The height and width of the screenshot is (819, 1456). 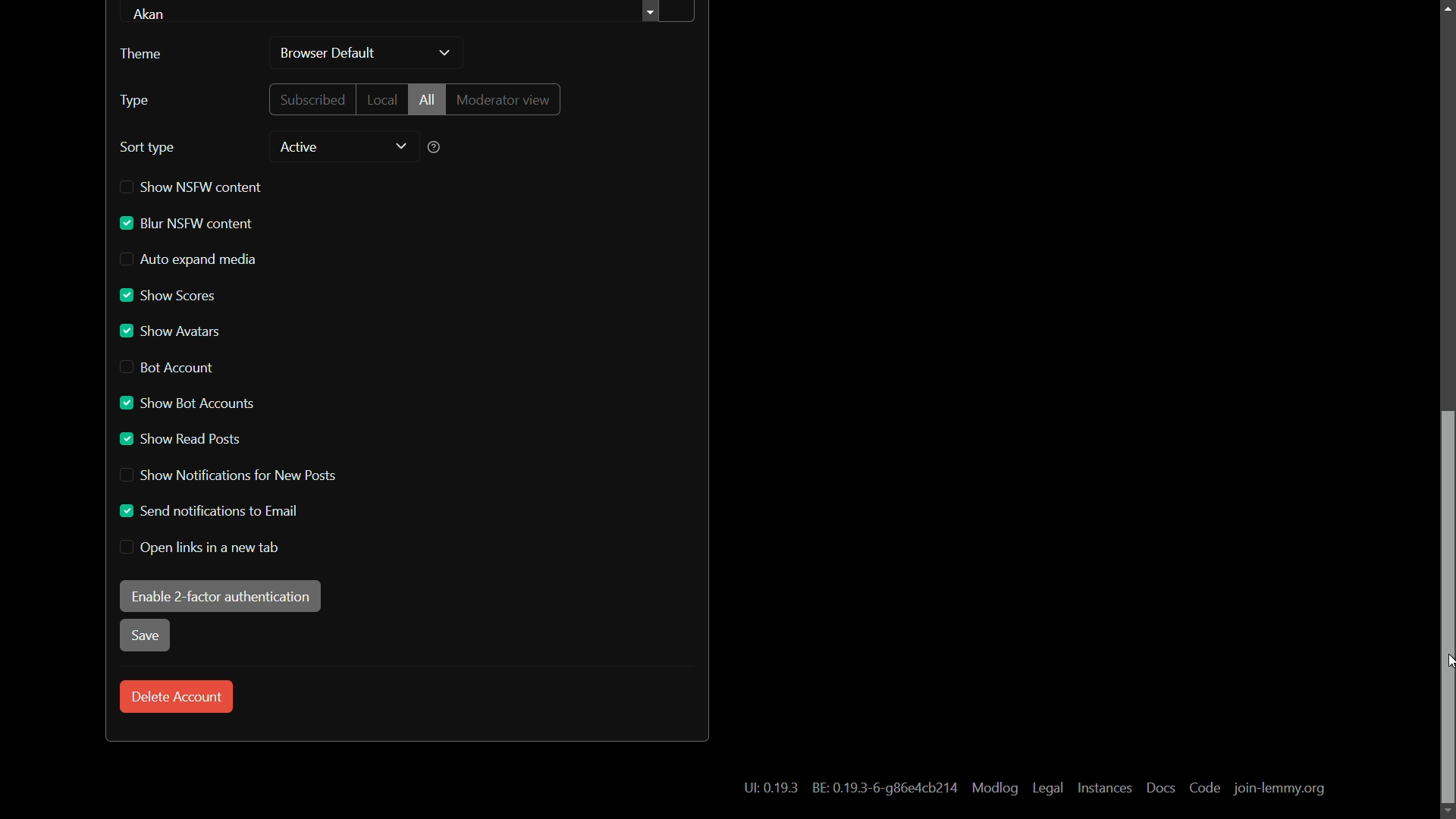 I want to click on bot account, so click(x=169, y=367).